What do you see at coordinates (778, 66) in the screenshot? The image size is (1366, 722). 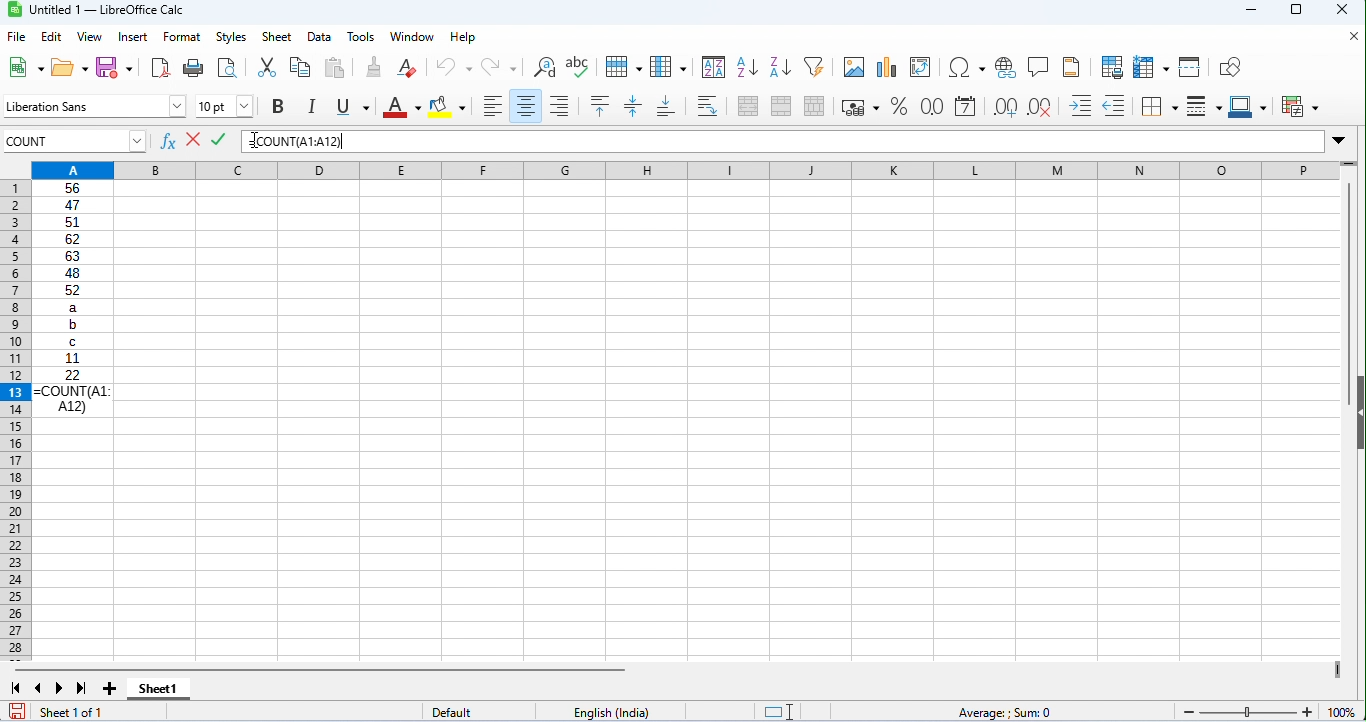 I see `sort descending` at bounding box center [778, 66].